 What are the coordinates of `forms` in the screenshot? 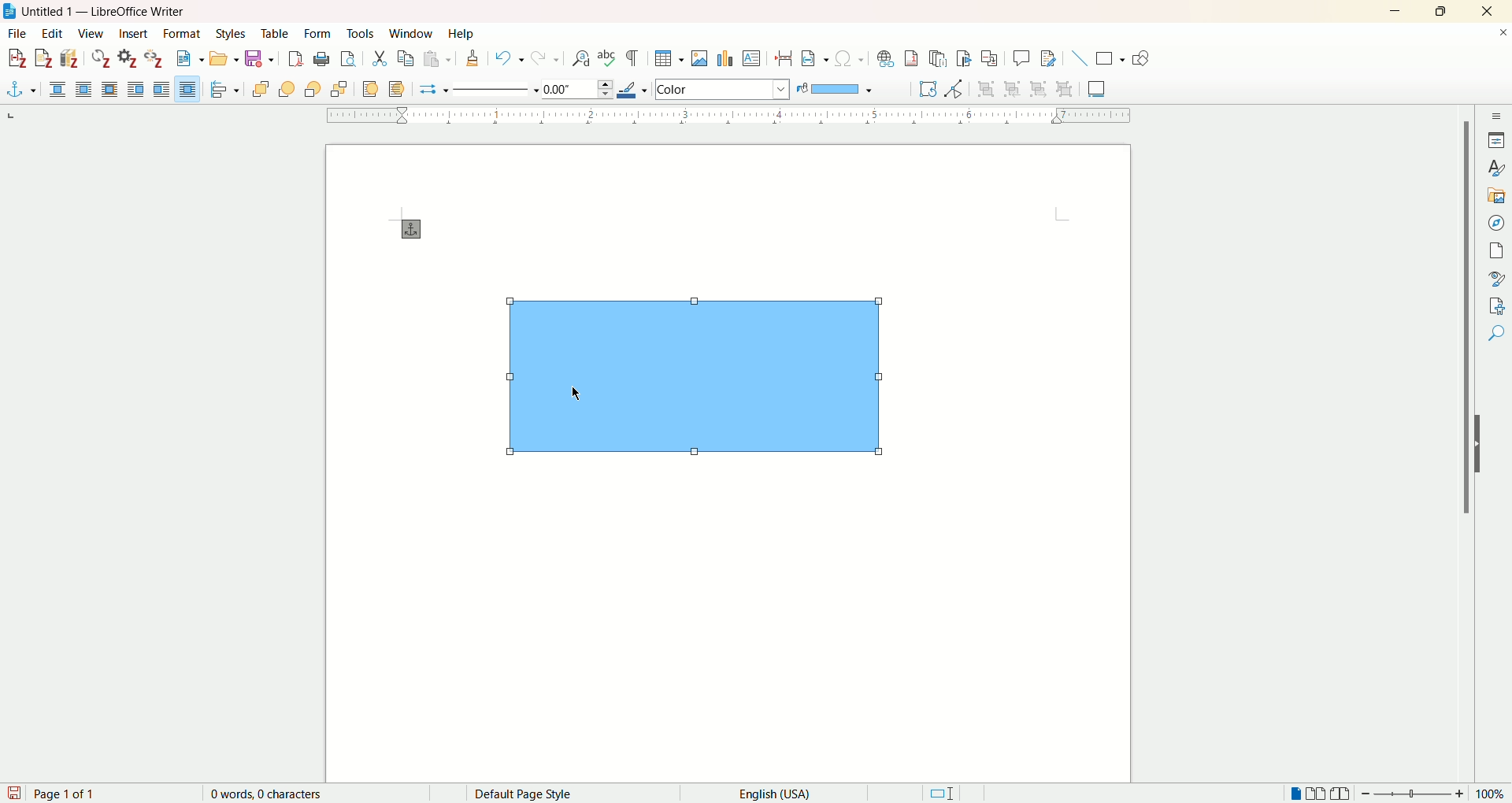 It's located at (320, 32).